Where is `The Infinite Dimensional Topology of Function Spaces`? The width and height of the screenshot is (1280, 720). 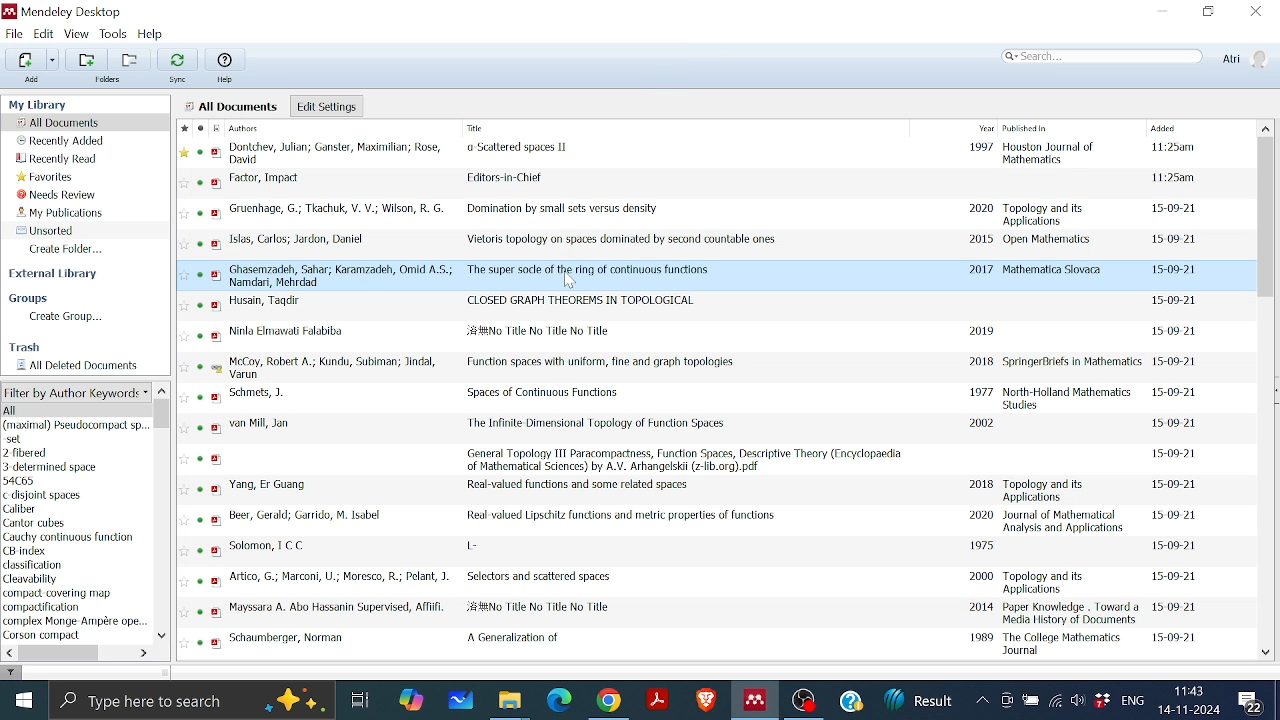 The Infinite Dimensional Topology of Function Spaces is located at coordinates (705, 426).